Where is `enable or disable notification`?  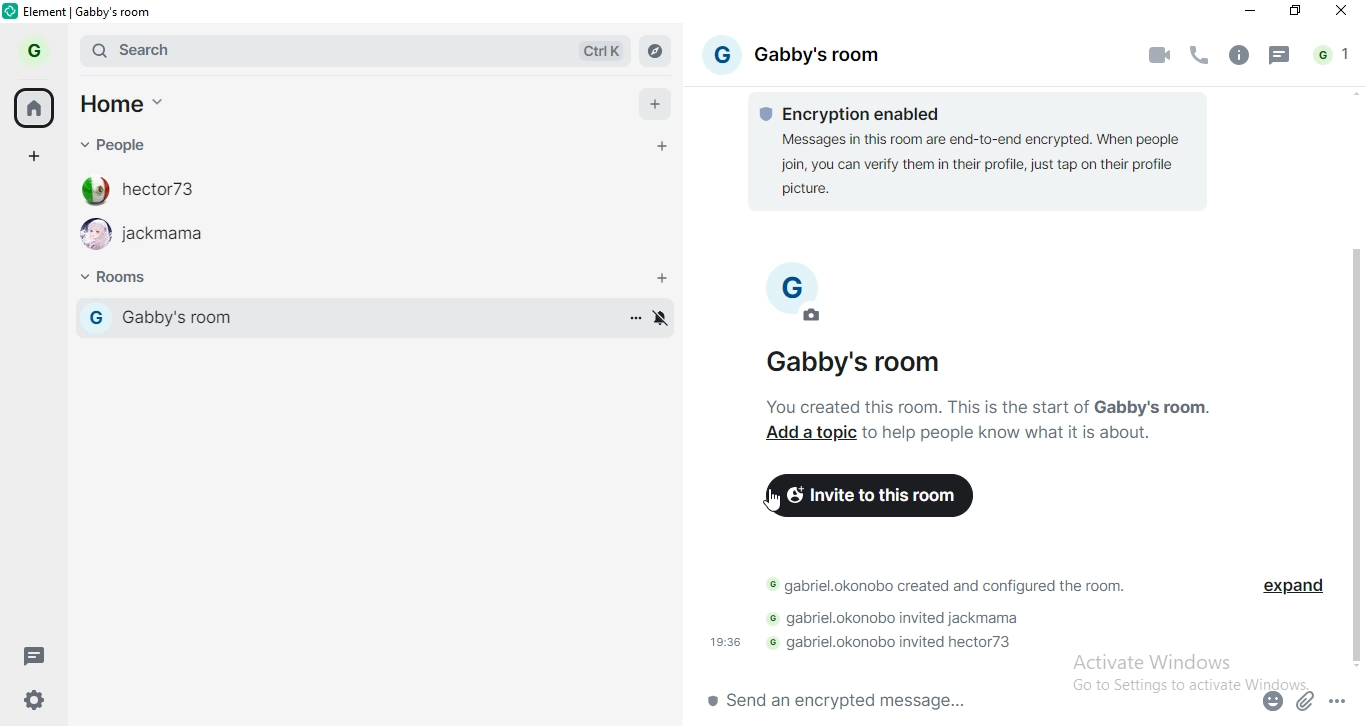 enable or disable notification is located at coordinates (662, 321).